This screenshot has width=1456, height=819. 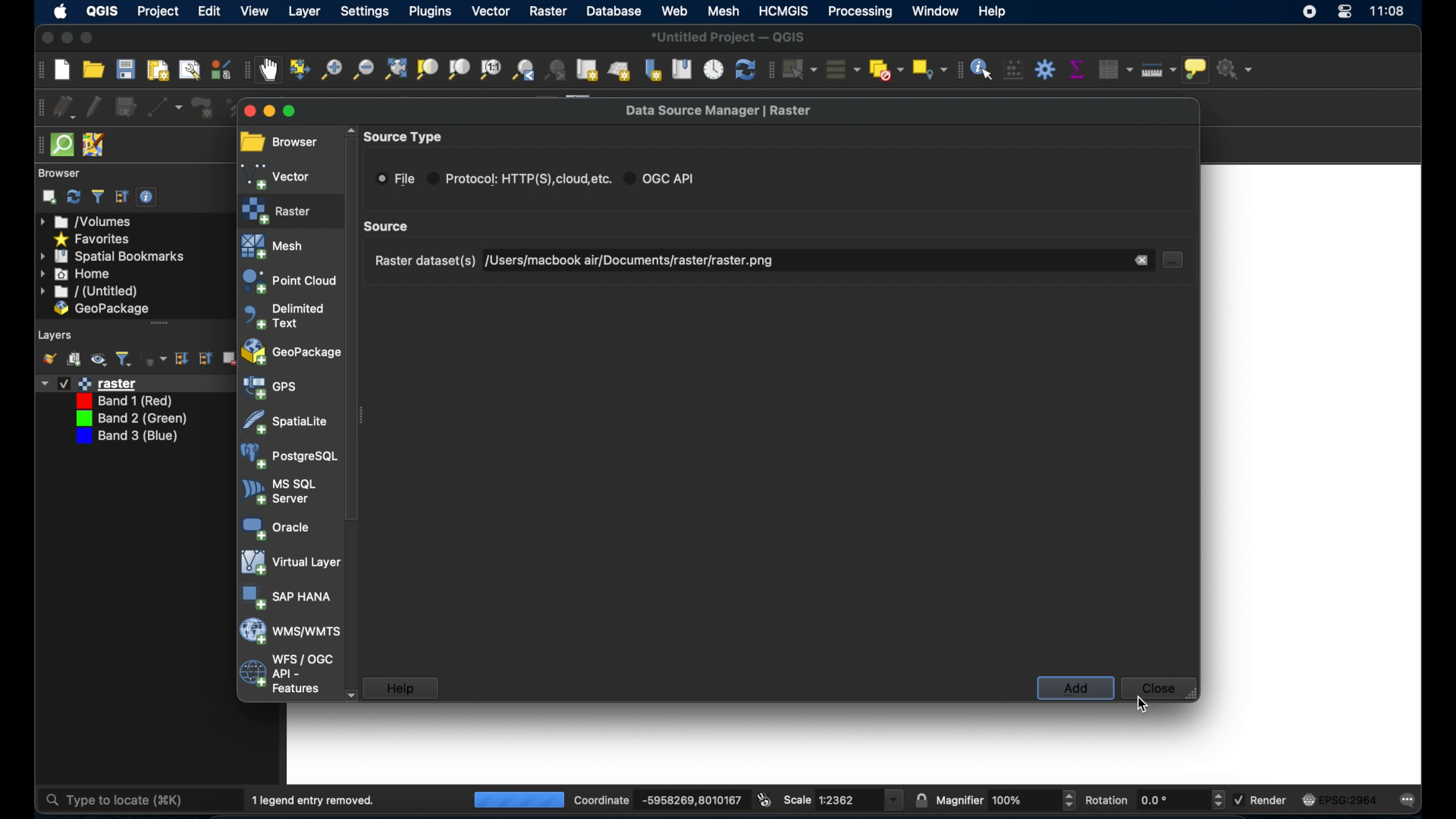 I want to click on dropdown, so click(x=895, y=800).